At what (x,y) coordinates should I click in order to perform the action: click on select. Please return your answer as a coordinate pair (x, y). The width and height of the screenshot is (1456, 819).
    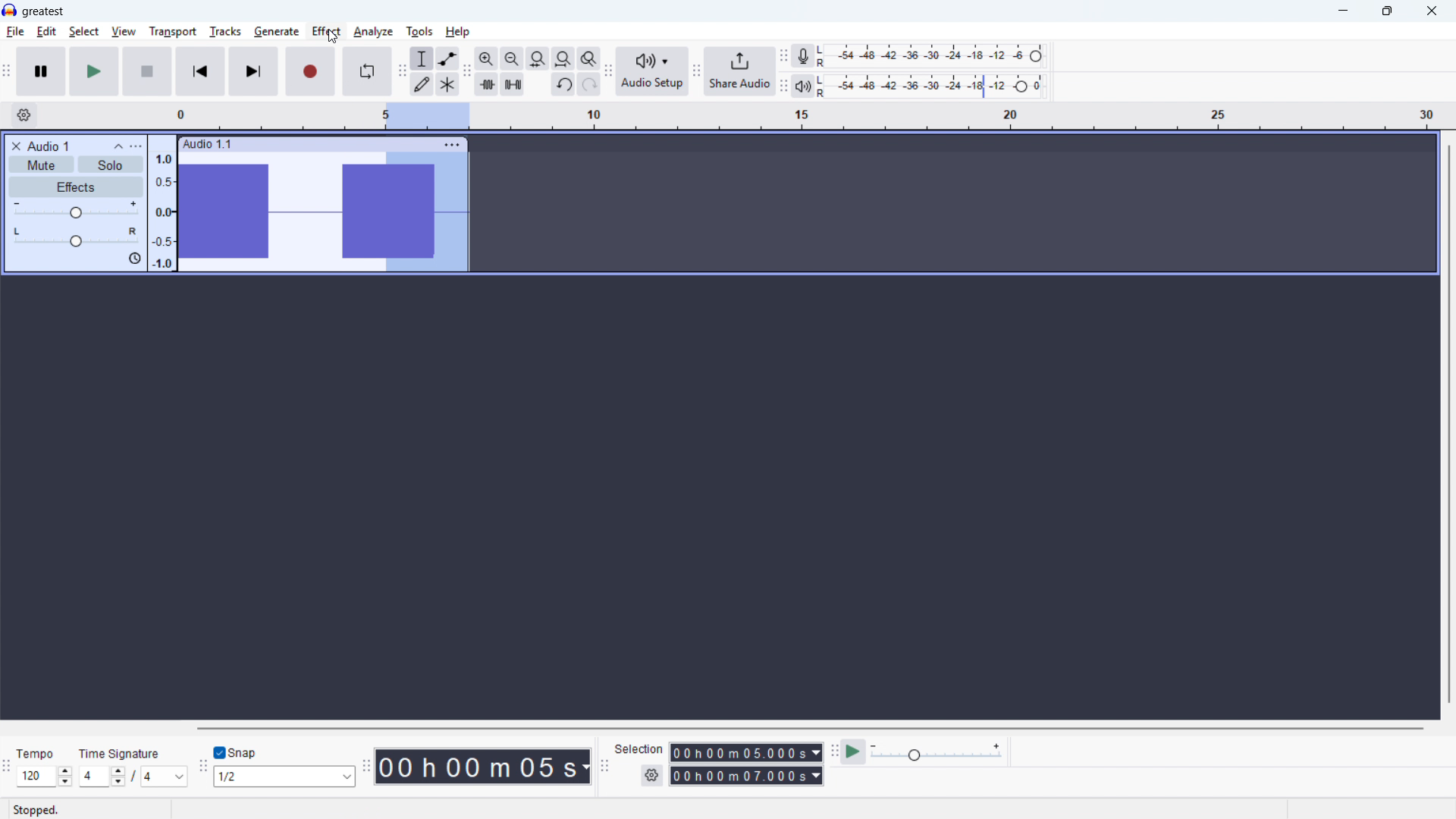
    Looking at the image, I should click on (84, 32).